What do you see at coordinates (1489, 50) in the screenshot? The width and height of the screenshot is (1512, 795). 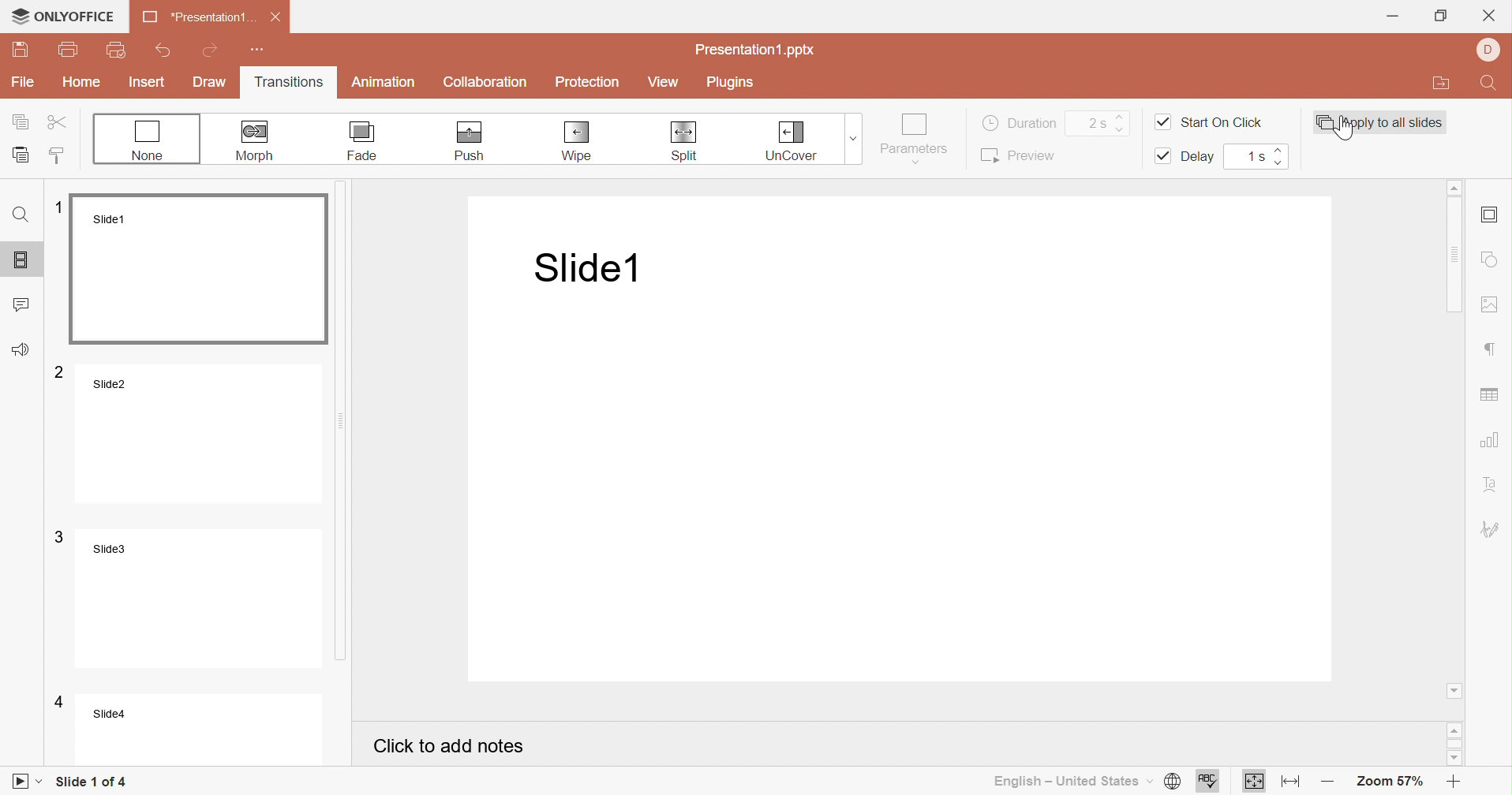 I see `Account name` at bounding box center [1489, 50].